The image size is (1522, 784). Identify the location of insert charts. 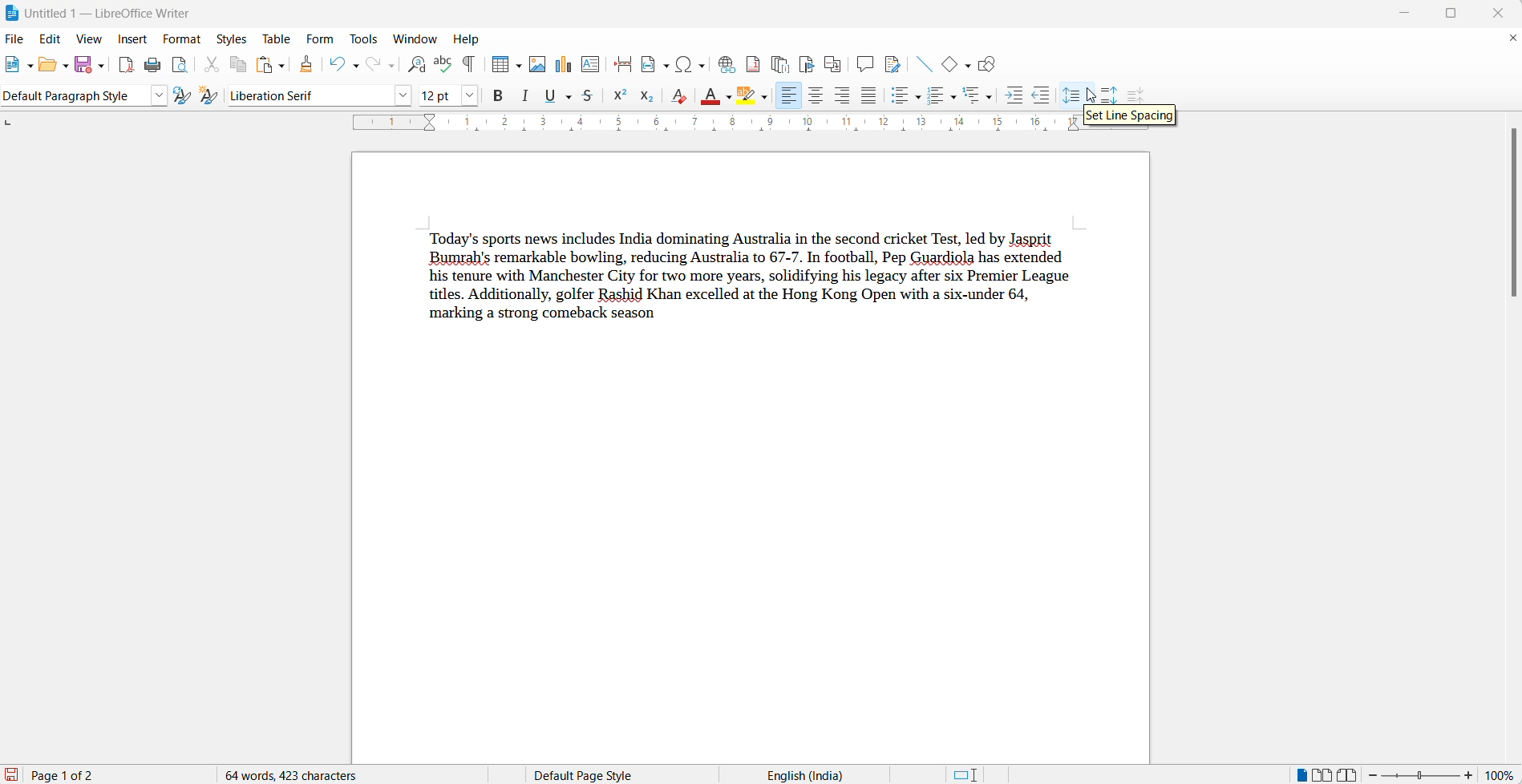
(562, 65).